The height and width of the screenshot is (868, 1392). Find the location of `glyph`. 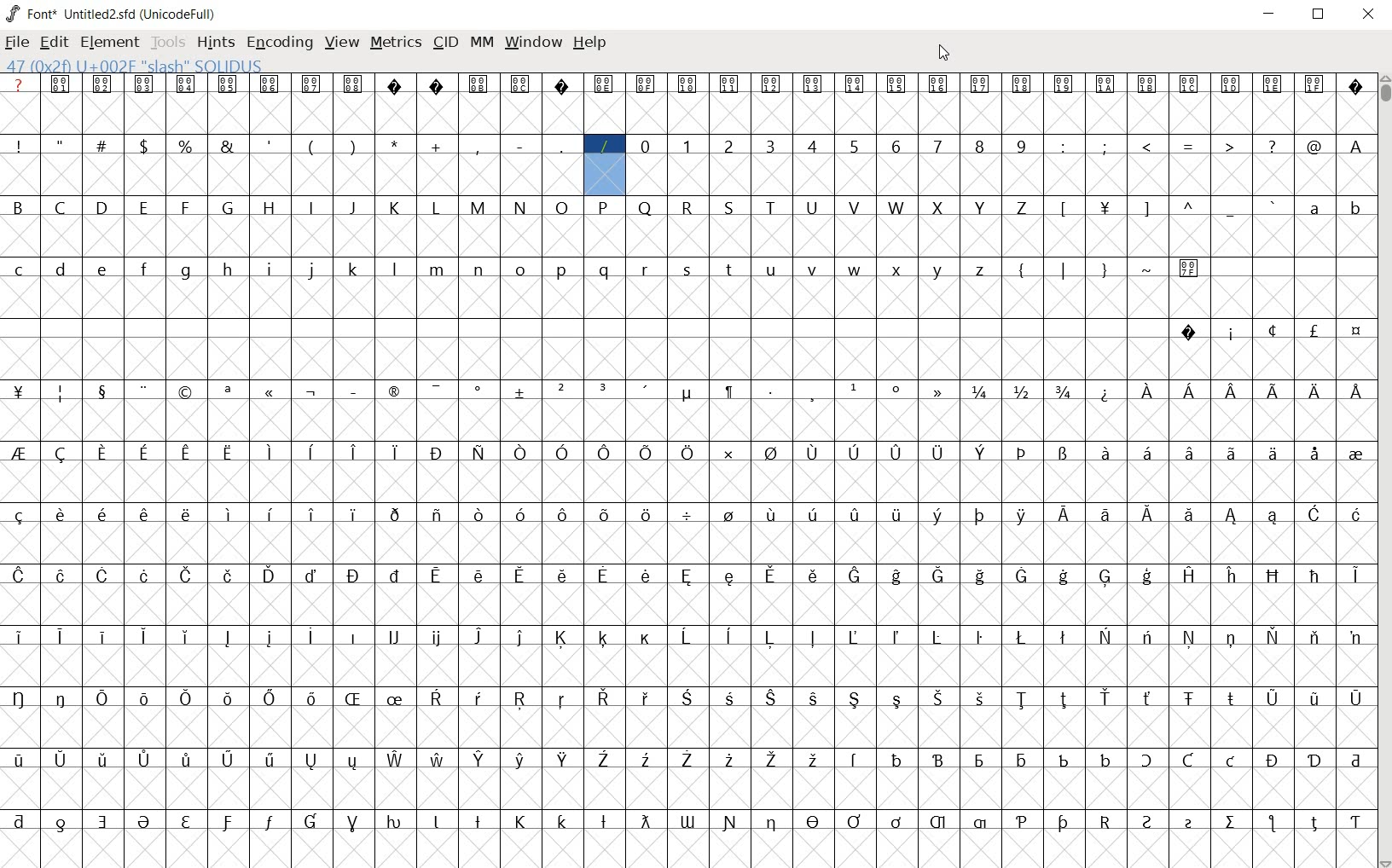

glyph is located at coordinates (144, 576).